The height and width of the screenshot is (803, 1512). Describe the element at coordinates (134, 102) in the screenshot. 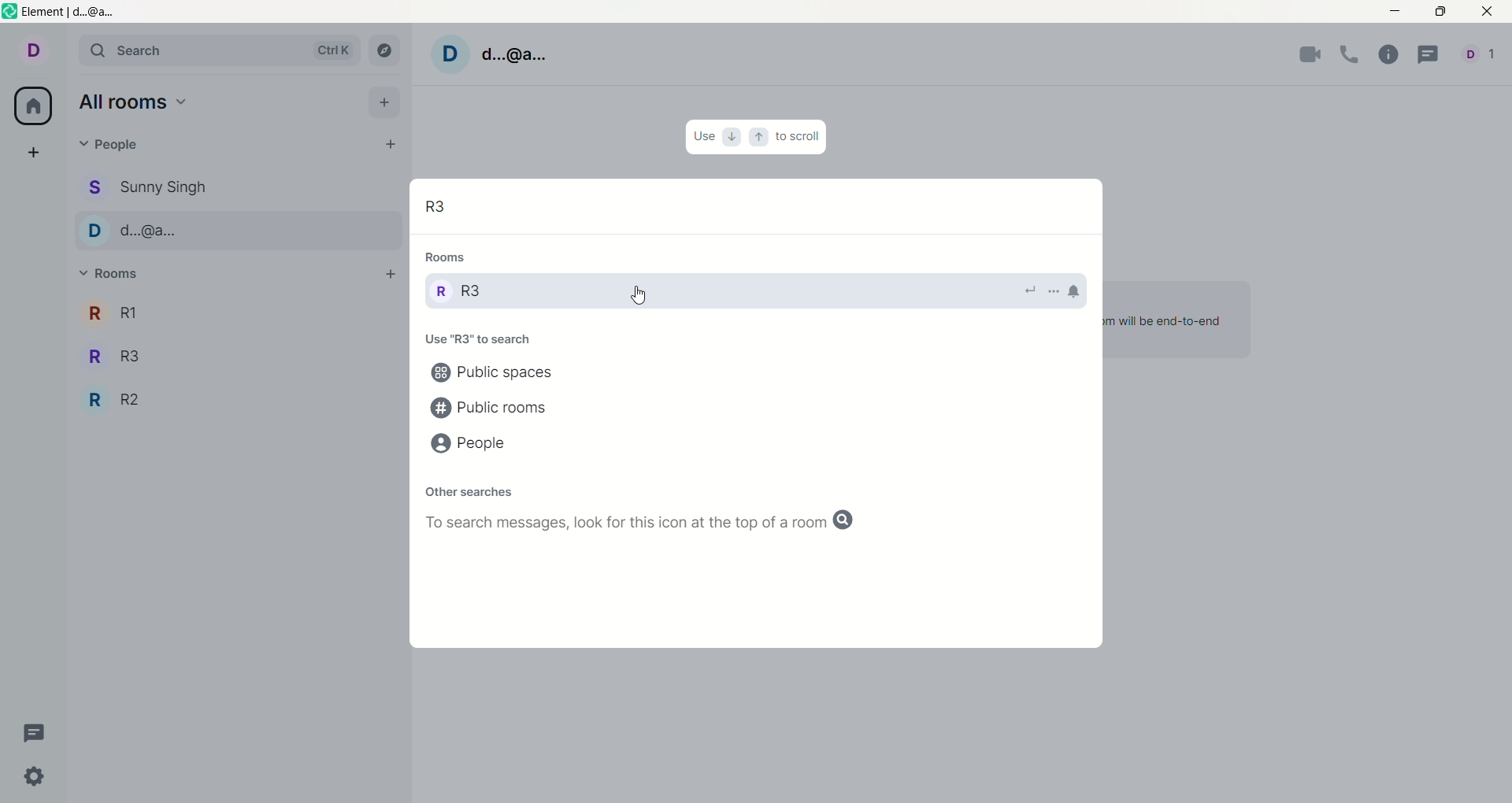

I see `all rooms` at that location.